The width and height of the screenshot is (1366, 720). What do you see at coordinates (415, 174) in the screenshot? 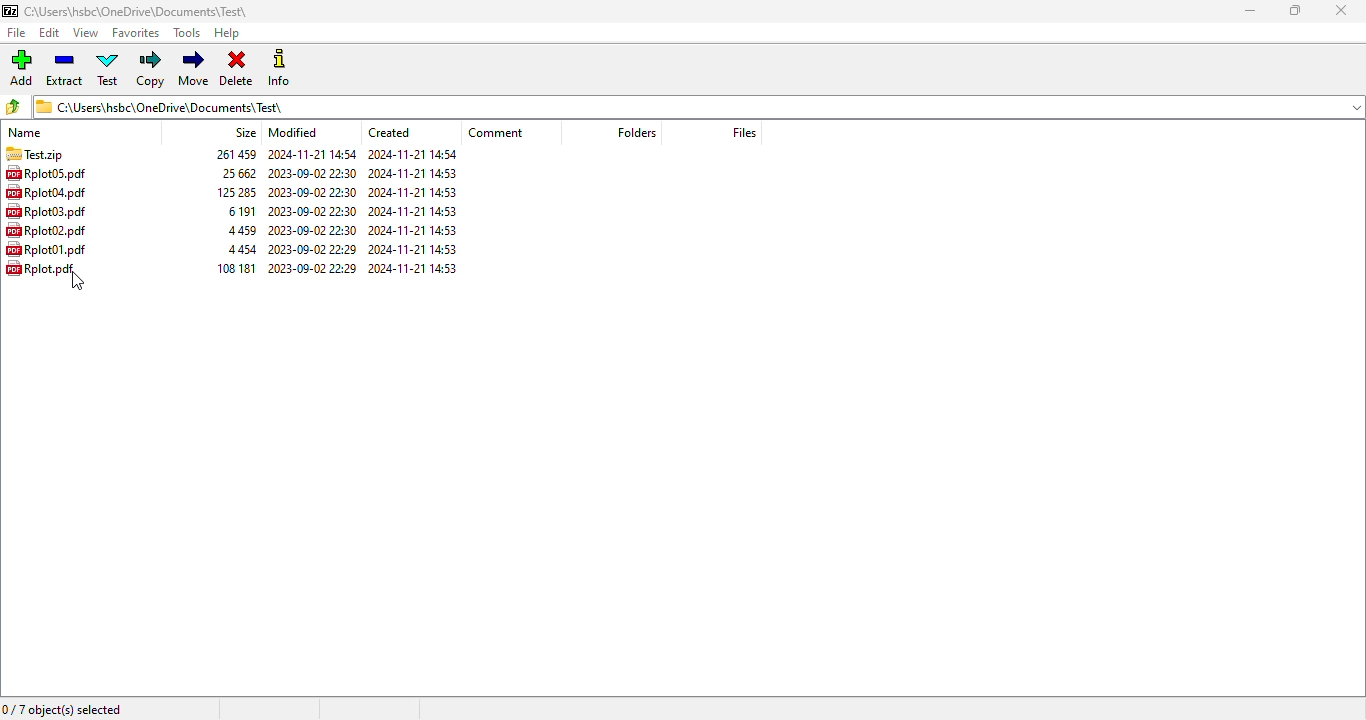
I see ` 2024-11-21 14:53` at bounding box center [415, 174].